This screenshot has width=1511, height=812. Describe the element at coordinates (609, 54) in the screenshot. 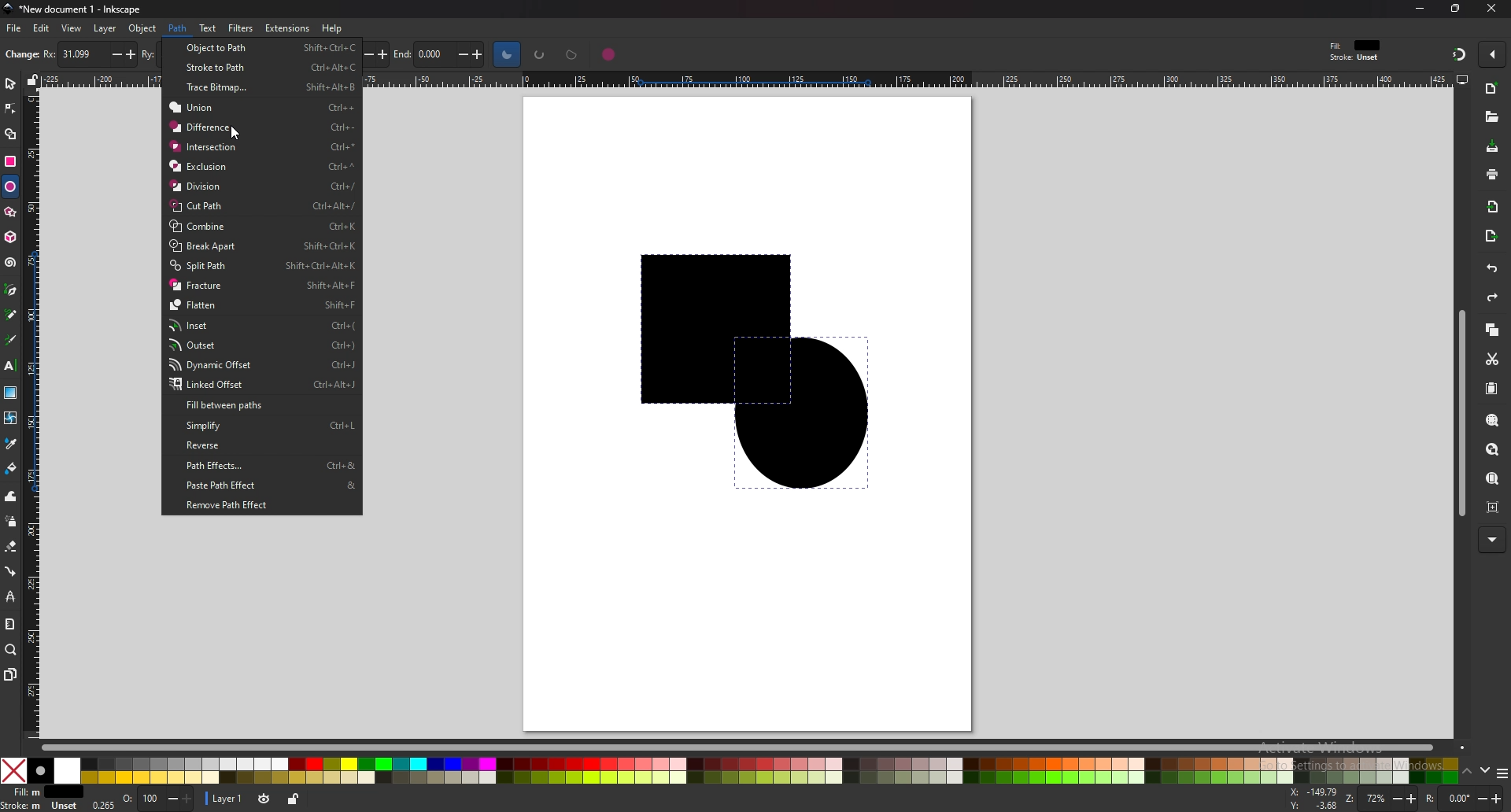

I see `whole ellipse` at that location.